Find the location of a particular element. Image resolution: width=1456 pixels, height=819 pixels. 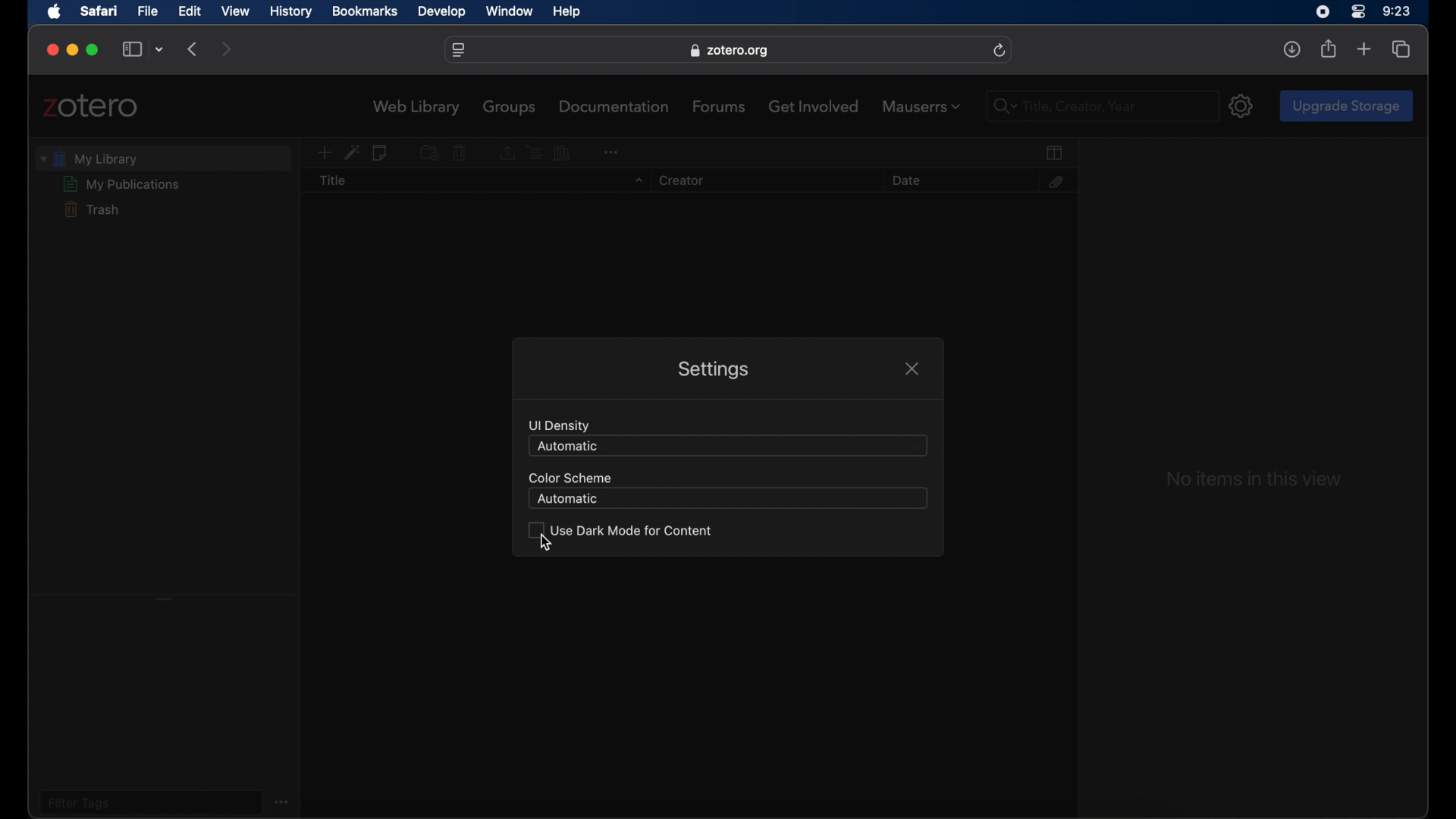

web address is located at coordinates (459, 51).